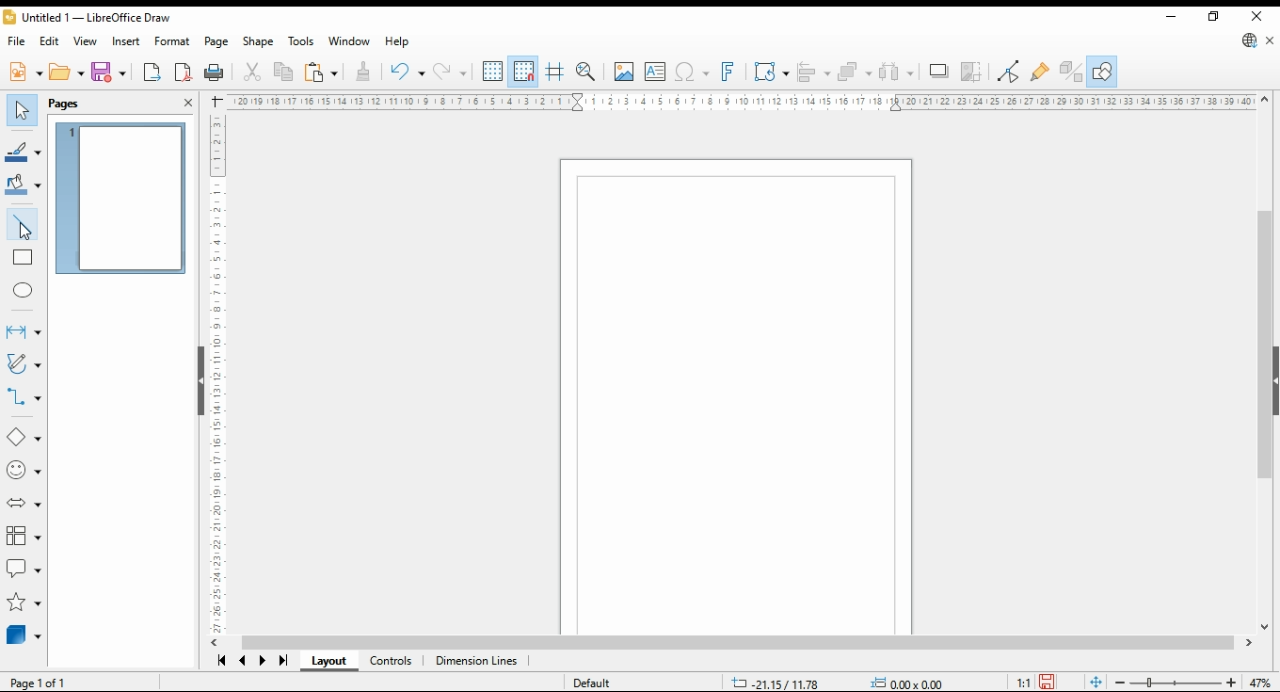 This screenshot has height=692, width=1280. I want to click on shadows, so click(938, 72).